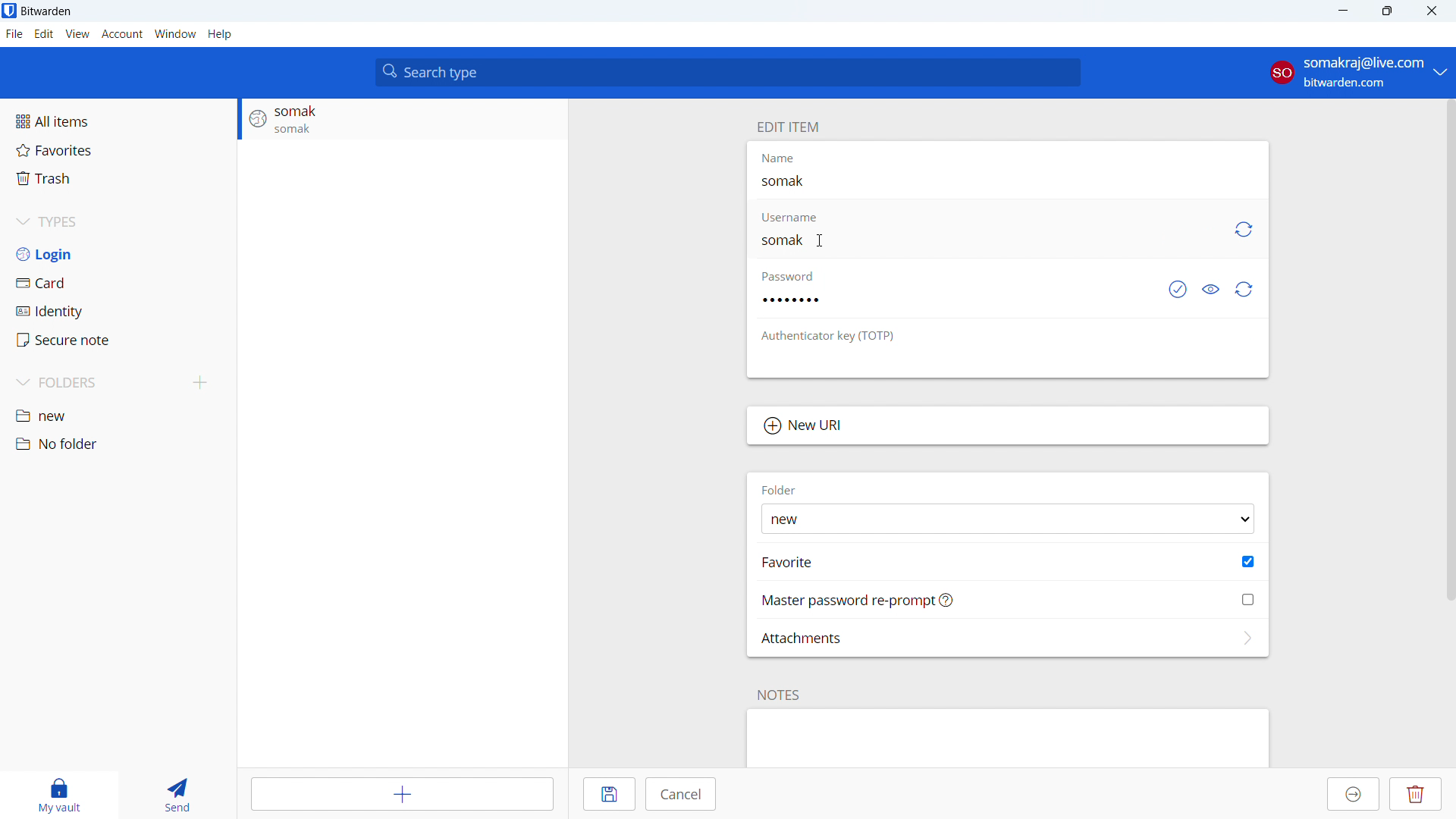 The height and width of the screenshot is (819, 1456). What do you see at coordinates (1354, 794) in the screenshot?
I see `move to organization` at bounding box center [1354, 794].